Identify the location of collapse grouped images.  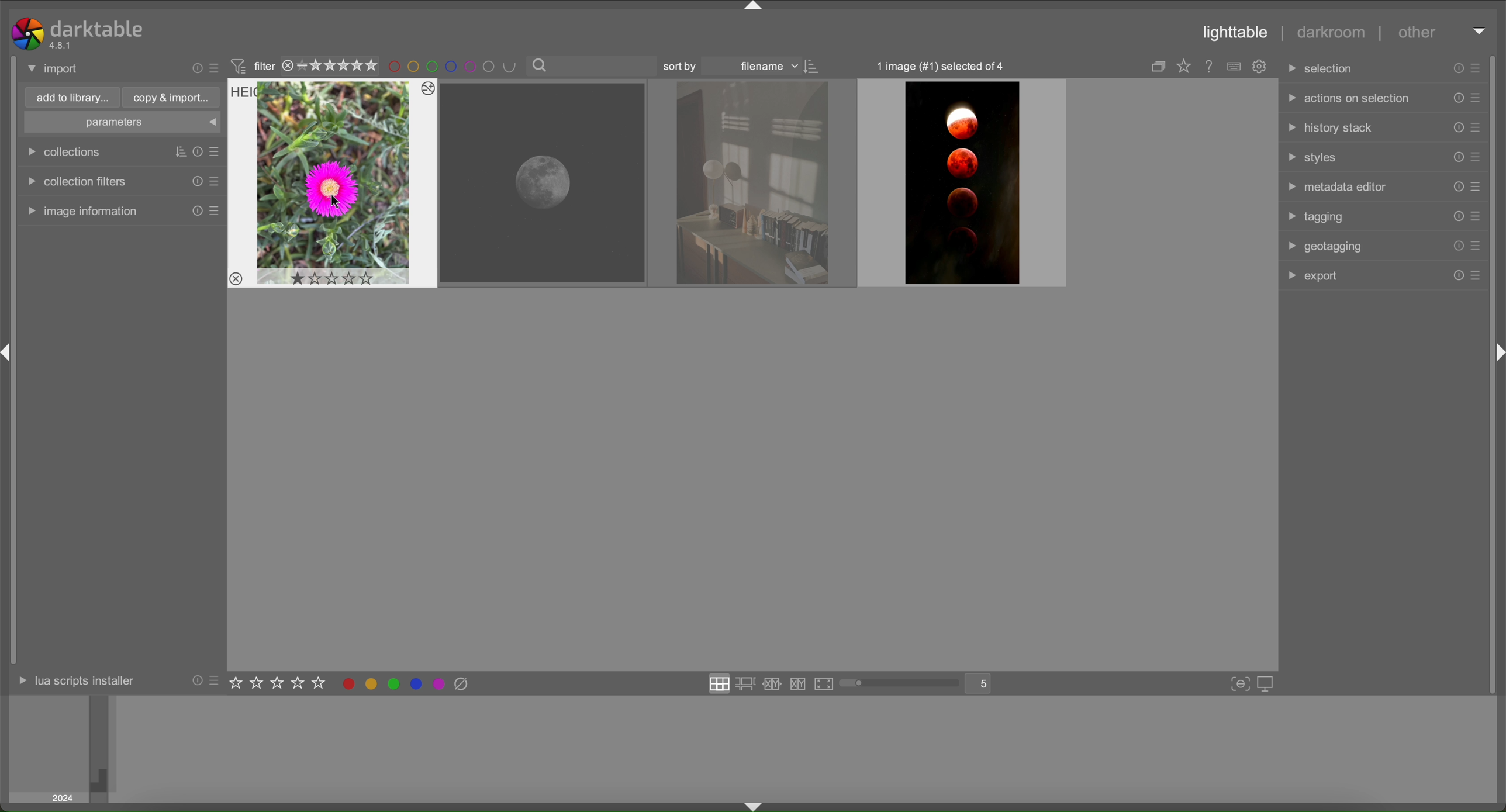
(1156, 67).